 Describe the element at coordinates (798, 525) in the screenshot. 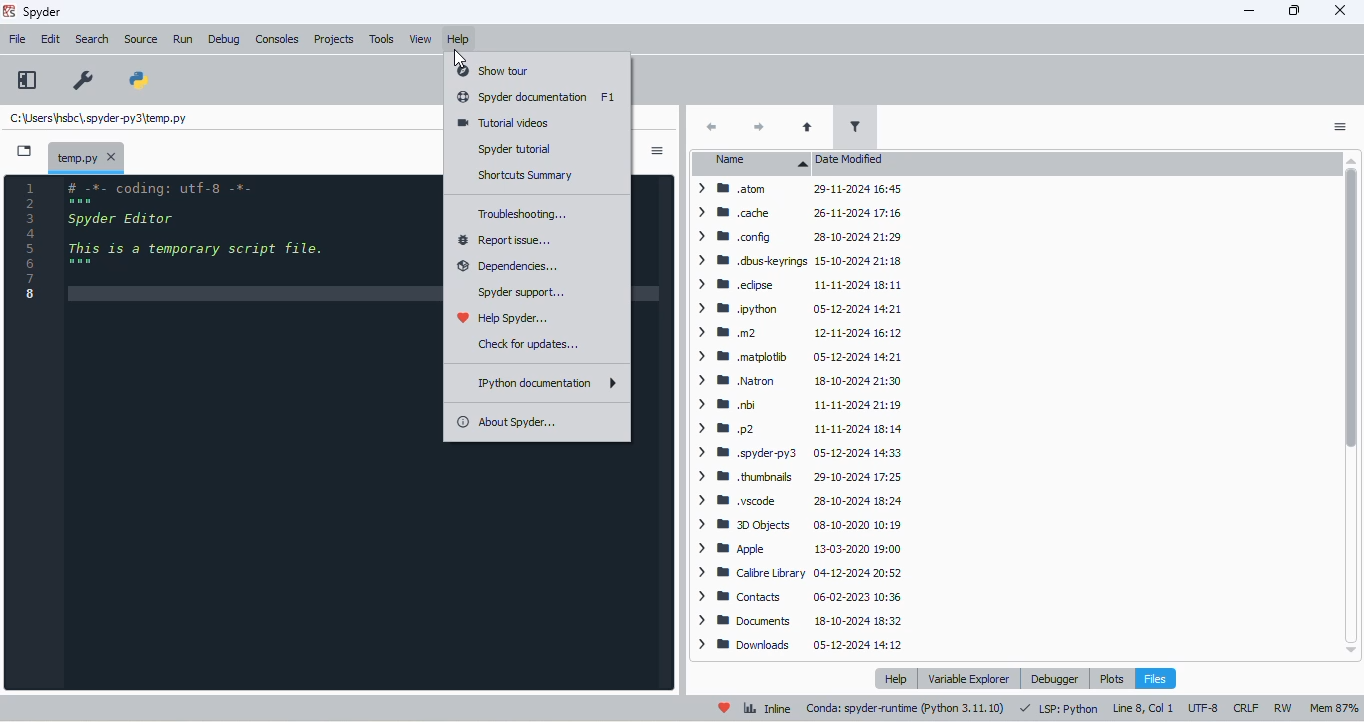

I see `> WB 3DObjects 08-10-2020 10:19` at that location.